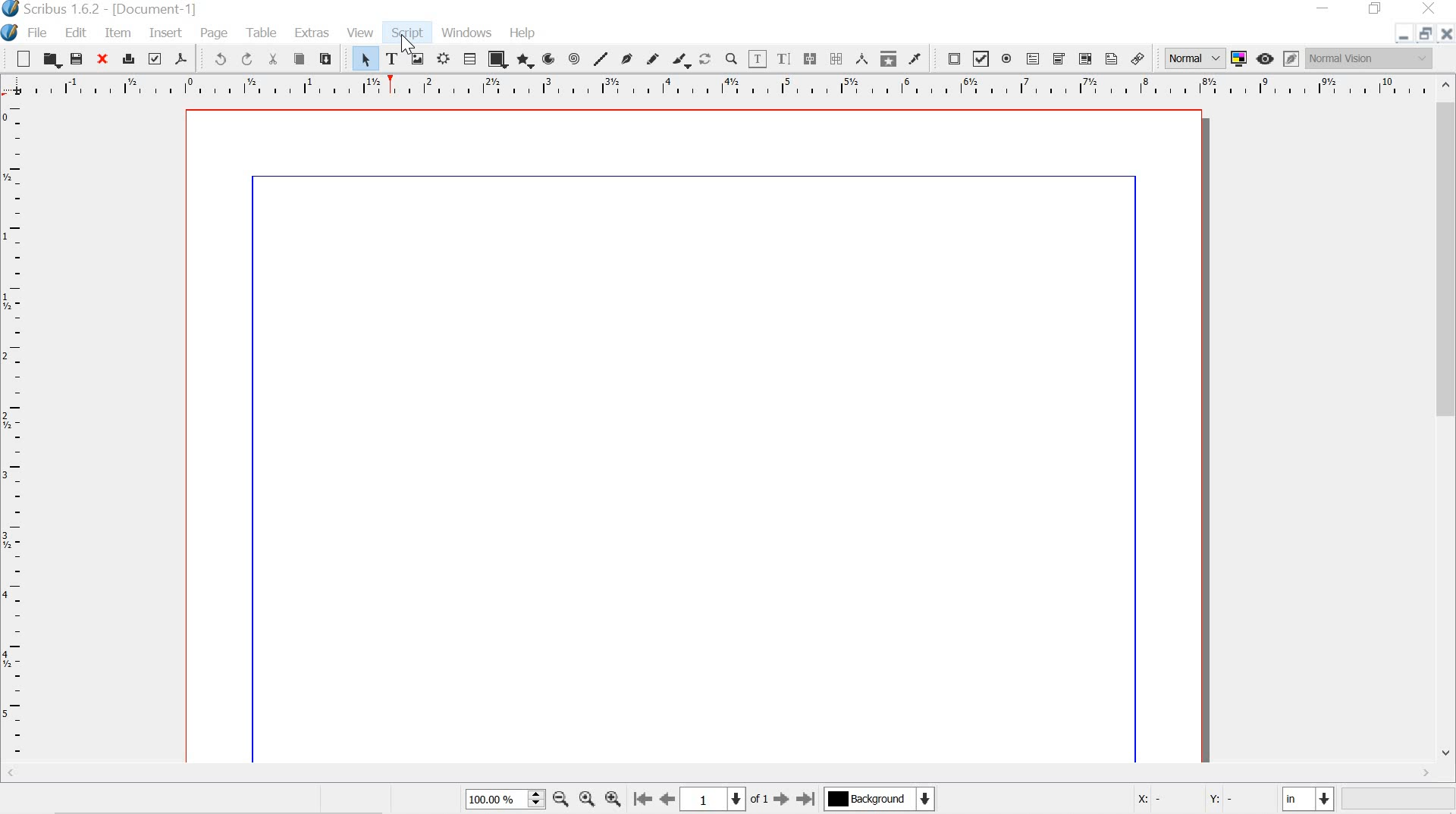 Image resolution: width=1456 pixels, height=814 pixels. I want to click on preview mode, so click(1267, 58).